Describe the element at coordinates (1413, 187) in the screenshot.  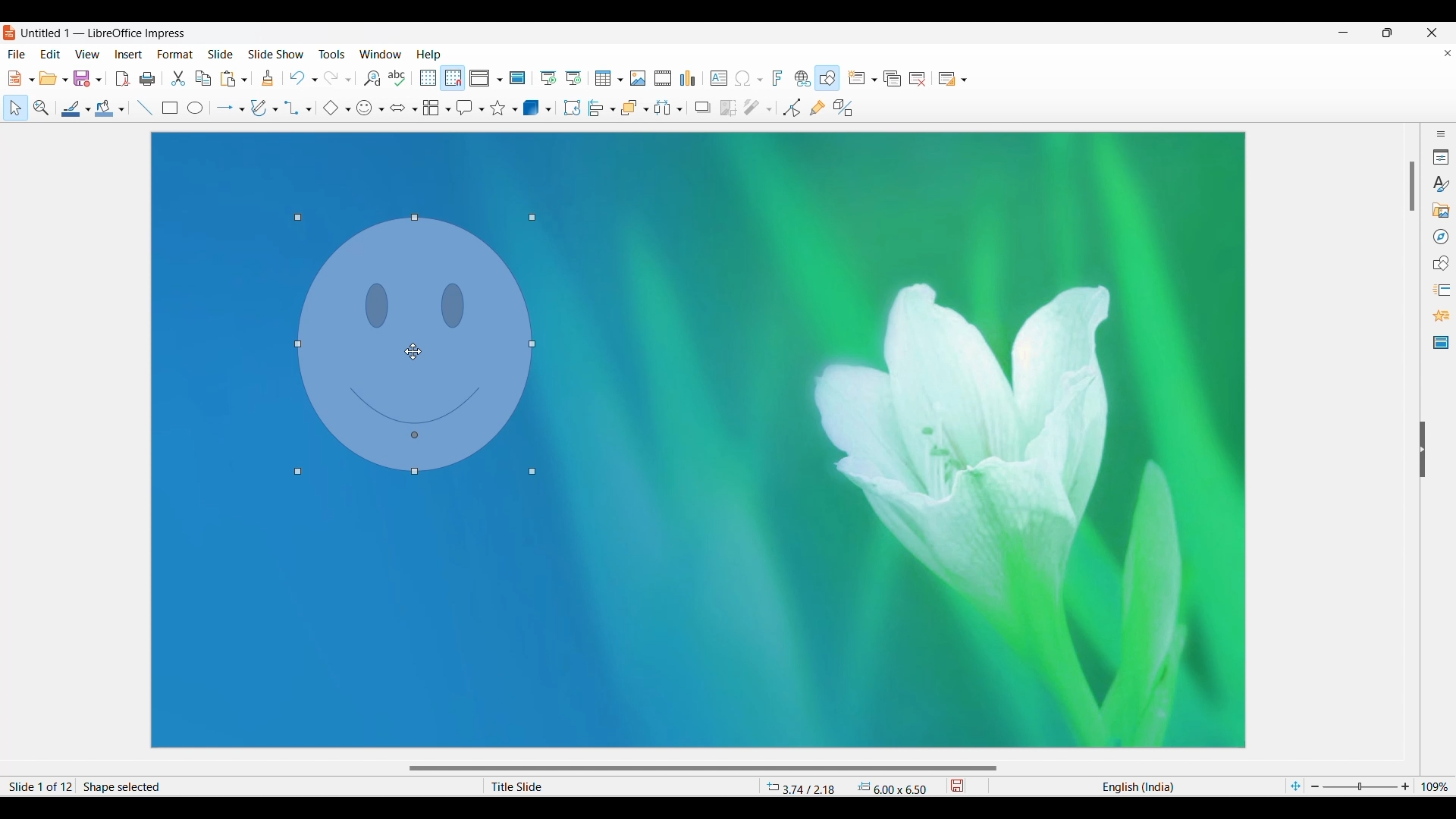
I see `Vertical slide bar` at that location.